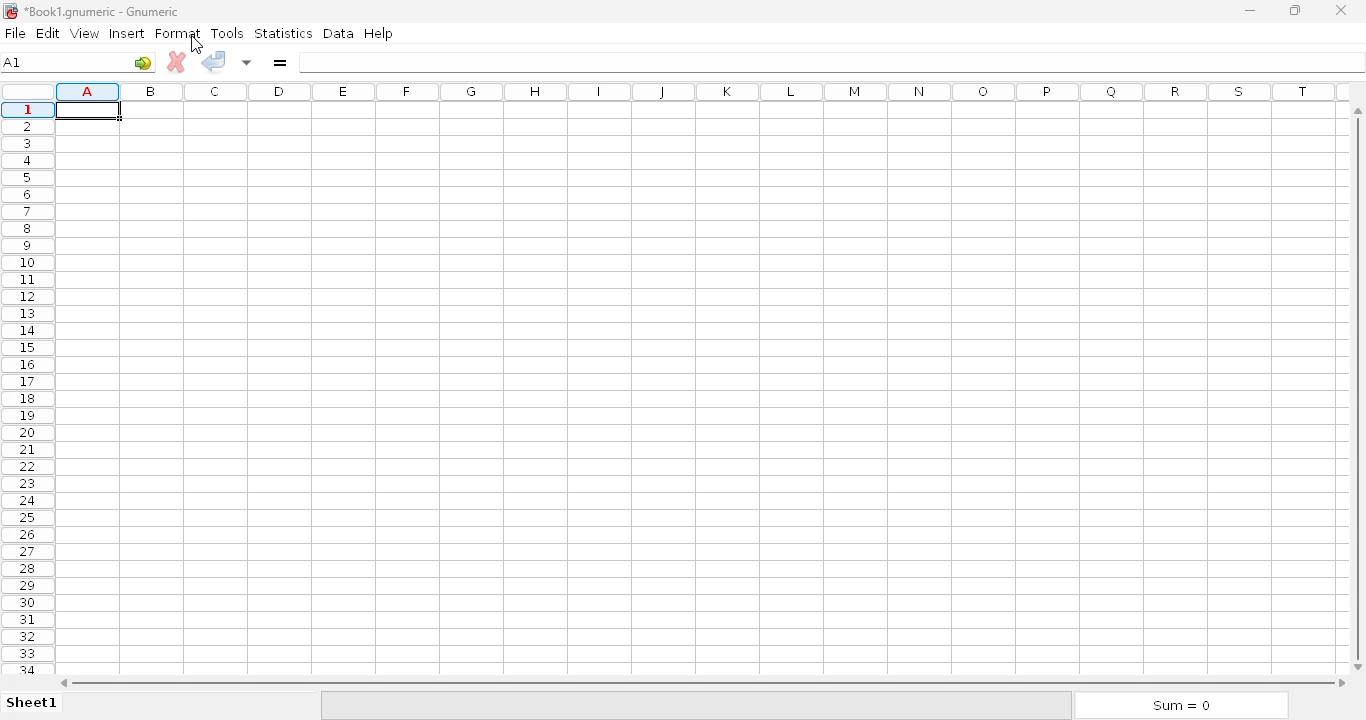 The width and height of the screenshot is (1366, 720). I want to click on accept change in multiple cells, so click(246, 61).